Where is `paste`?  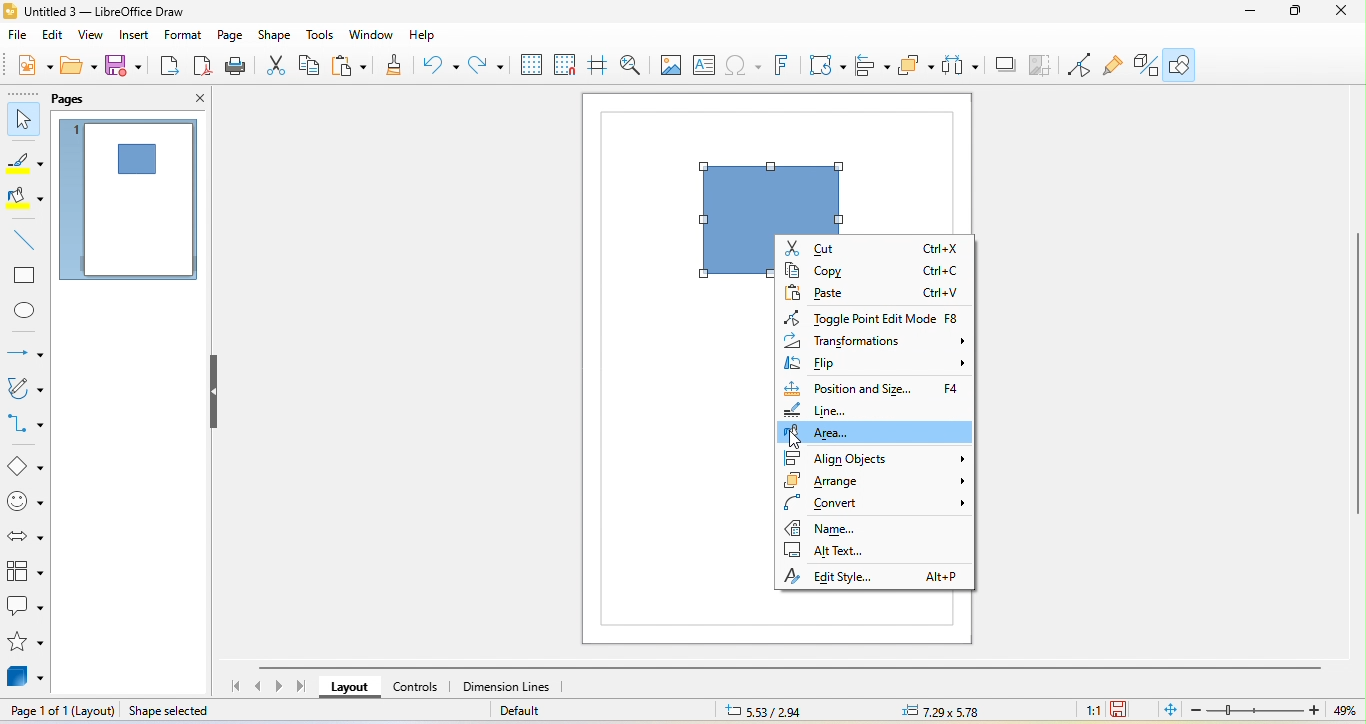
paste is located at coordinates (876, 293).